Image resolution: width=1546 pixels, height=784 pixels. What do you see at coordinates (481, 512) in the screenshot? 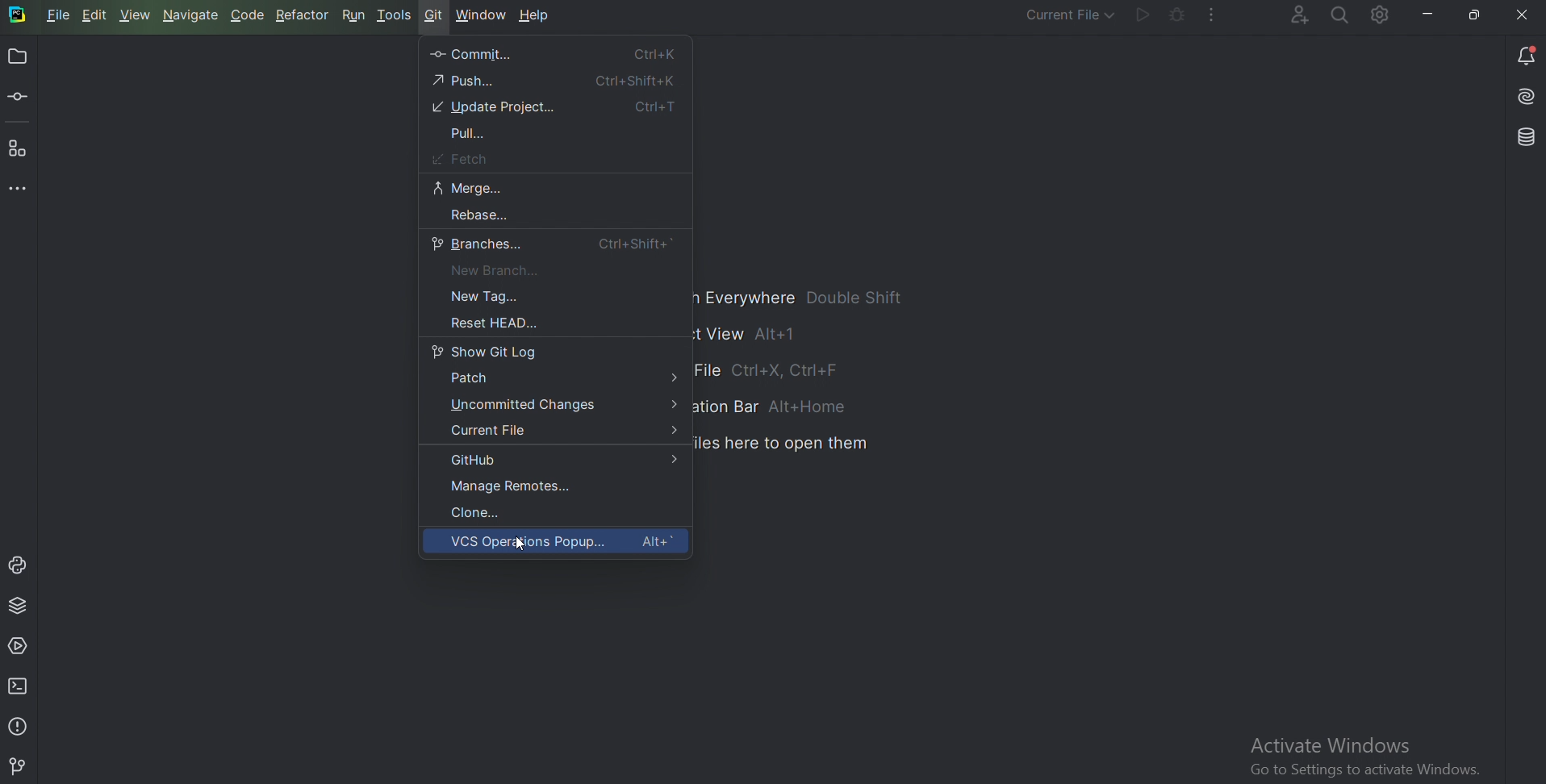
I see `Clone` at bounding box center [481, 512].